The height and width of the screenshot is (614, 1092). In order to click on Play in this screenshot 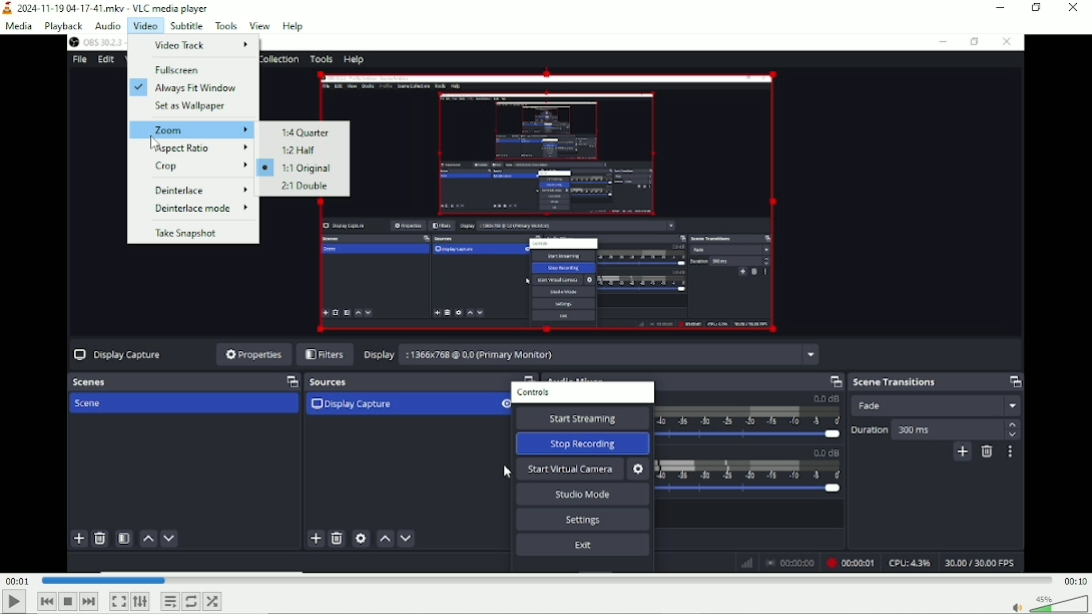, I will do `click(12, 603)`.